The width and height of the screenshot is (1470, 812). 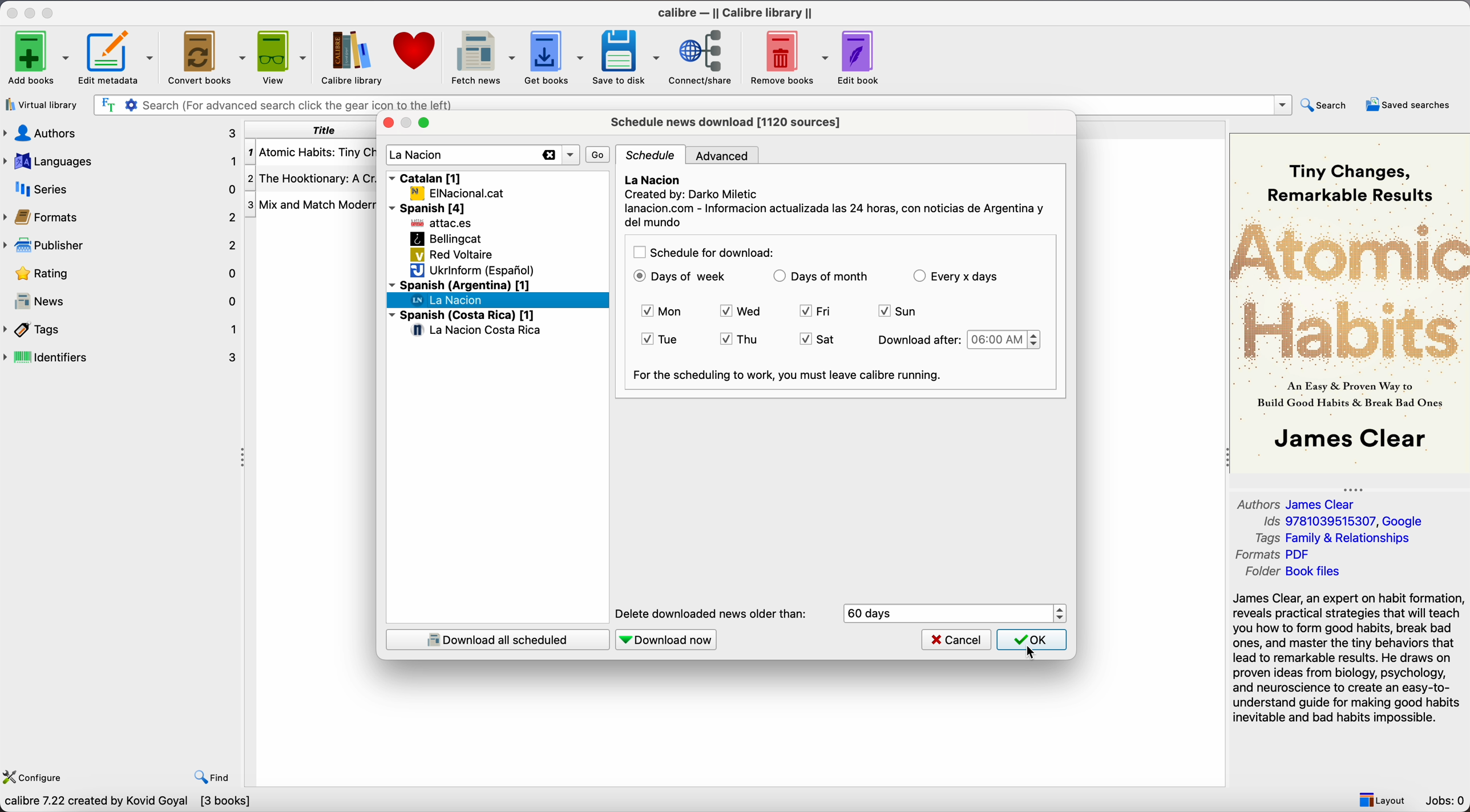 What do you see at coordinates (821, 278) in the screenshot?
I see `days of month` at bounding box center [821, 278].